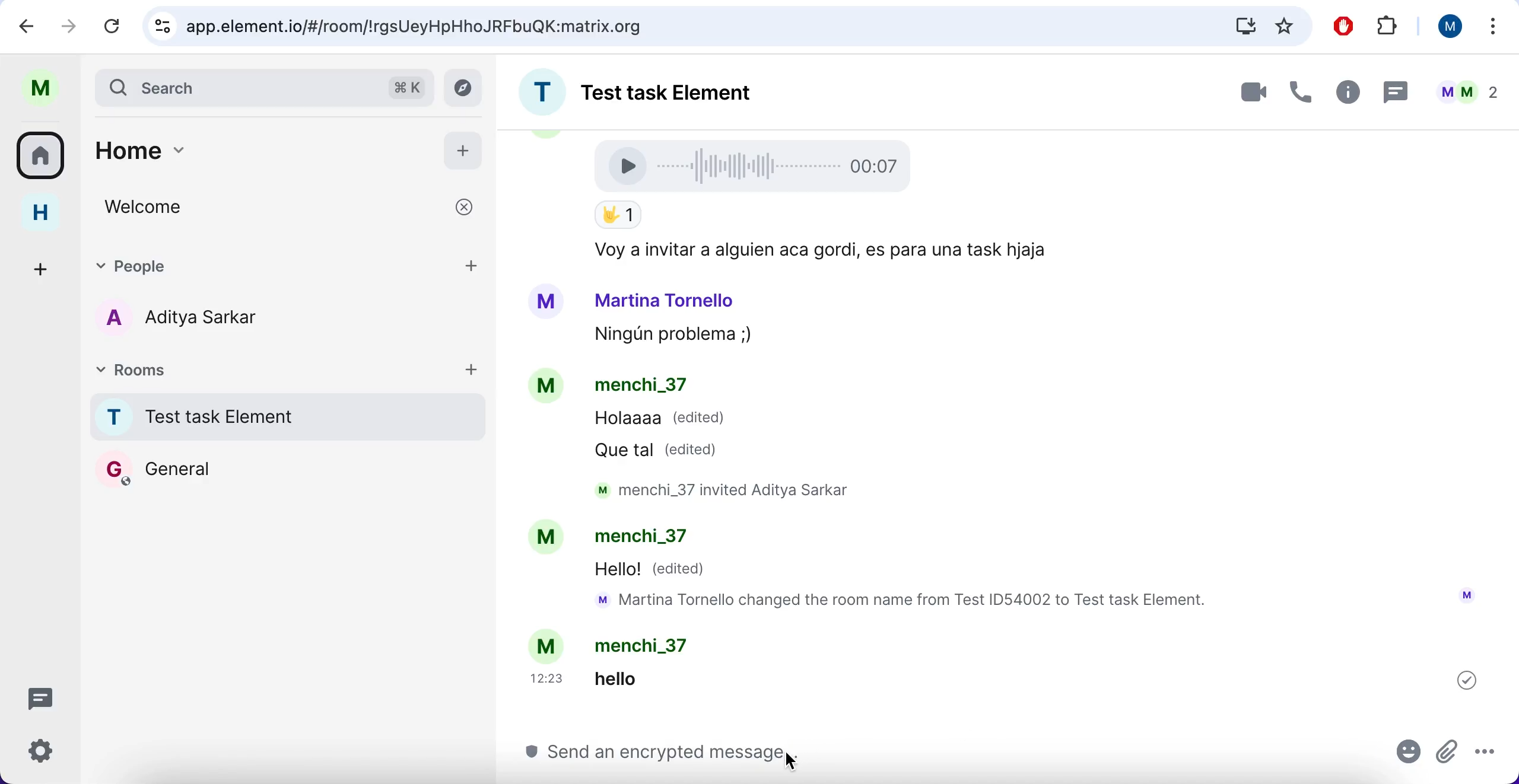 Image resolution: width=1519 pixels, height=784 pixels. What do you see at coordinates (635, 678) in the screenshot?
I see `helio` at bounding box center [635, 678].